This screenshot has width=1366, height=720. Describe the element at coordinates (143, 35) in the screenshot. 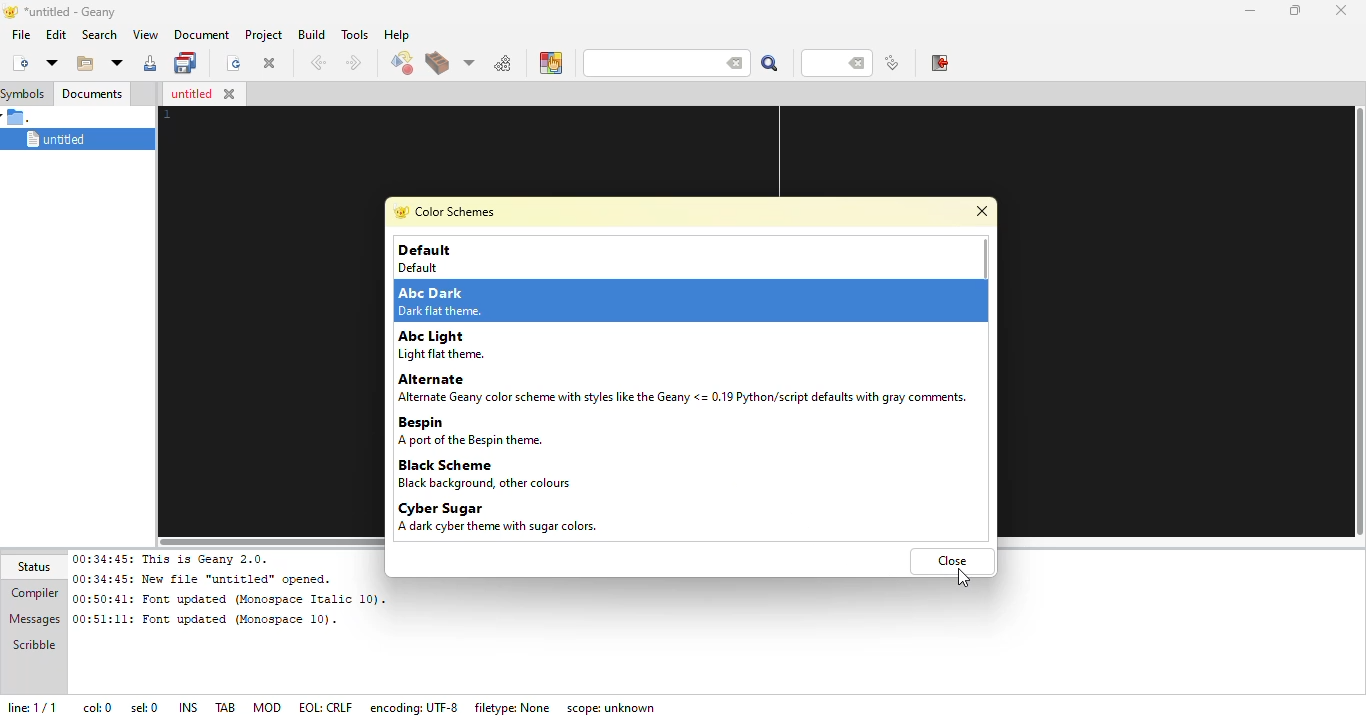

I see `view` at that location.